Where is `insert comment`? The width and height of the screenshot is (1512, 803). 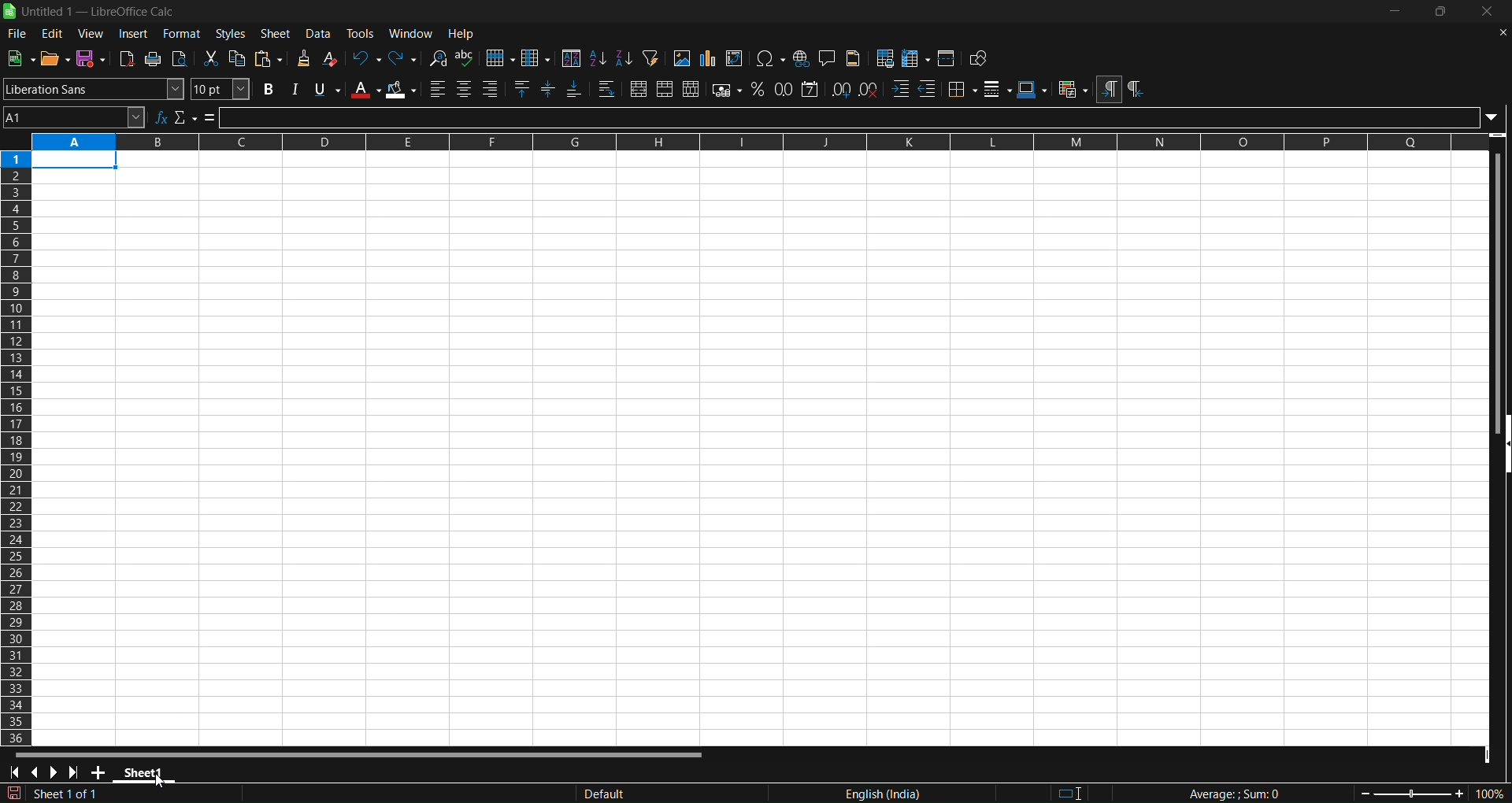
insert comment is located at coordinates (827, 57).